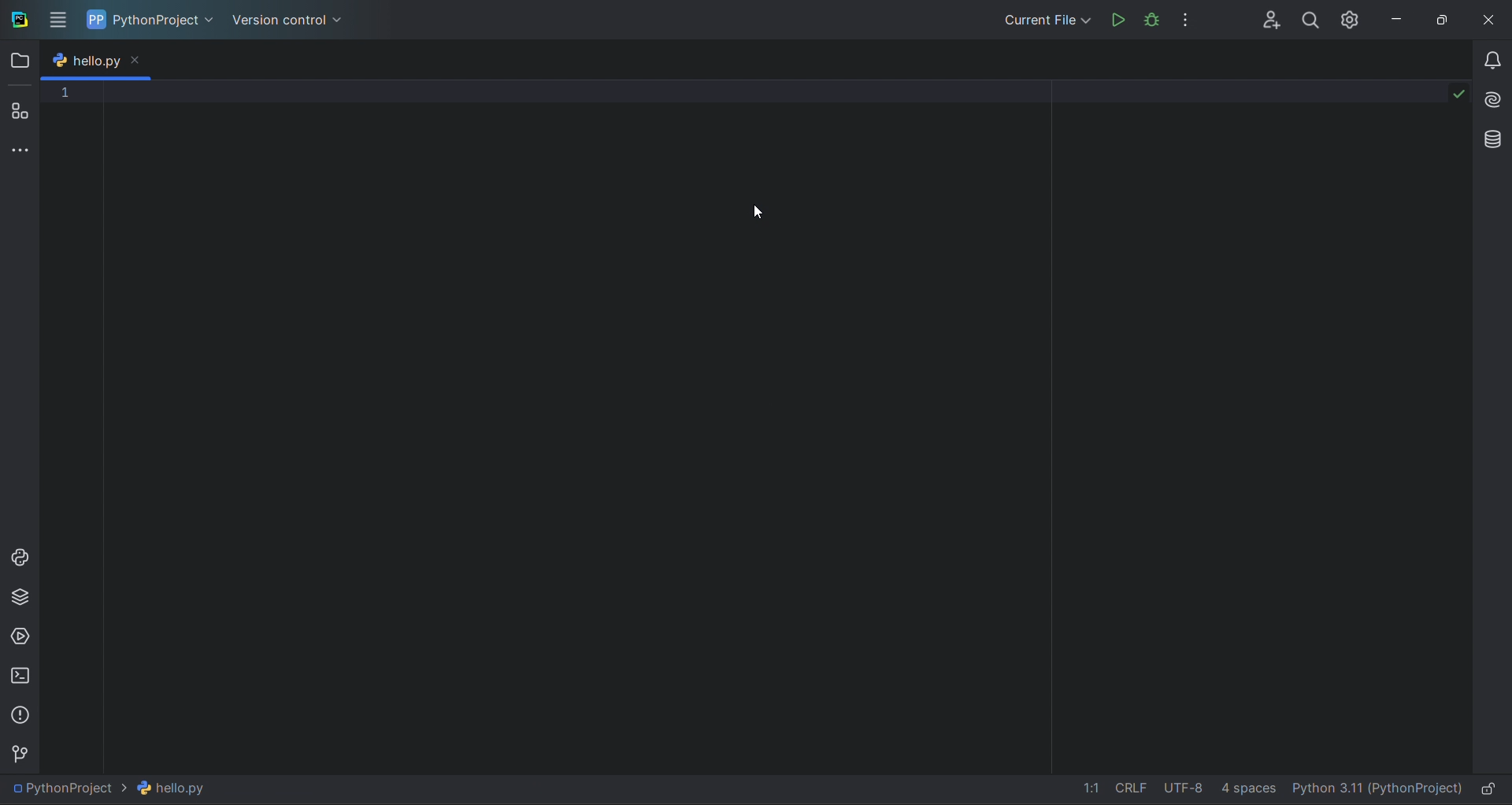 Image resolution: width=1512 pixels, height=805 pixels. I want to click on notifications, so click(1492, 65).